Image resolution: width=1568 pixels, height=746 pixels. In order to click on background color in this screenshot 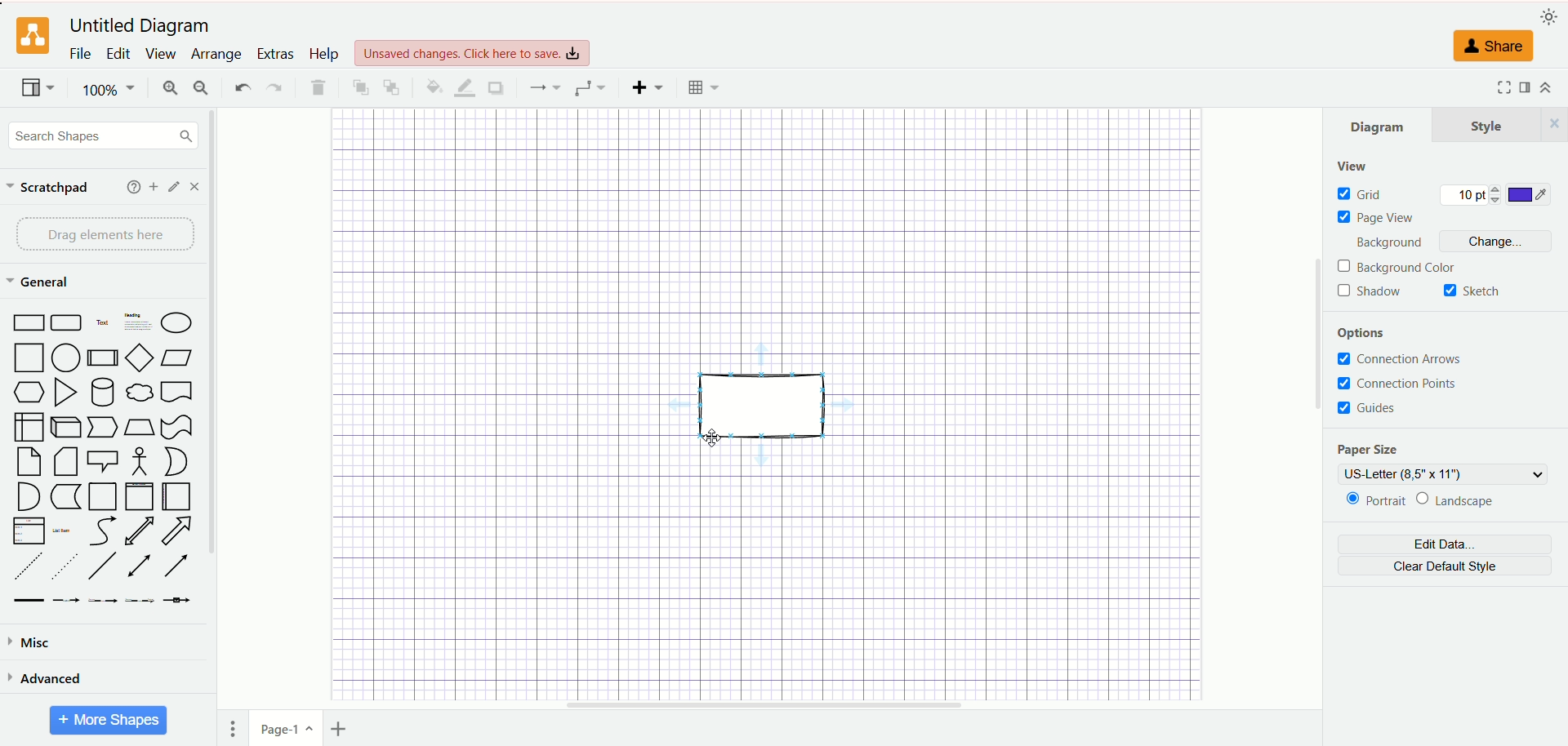, I will do `click(1400, 267)`.